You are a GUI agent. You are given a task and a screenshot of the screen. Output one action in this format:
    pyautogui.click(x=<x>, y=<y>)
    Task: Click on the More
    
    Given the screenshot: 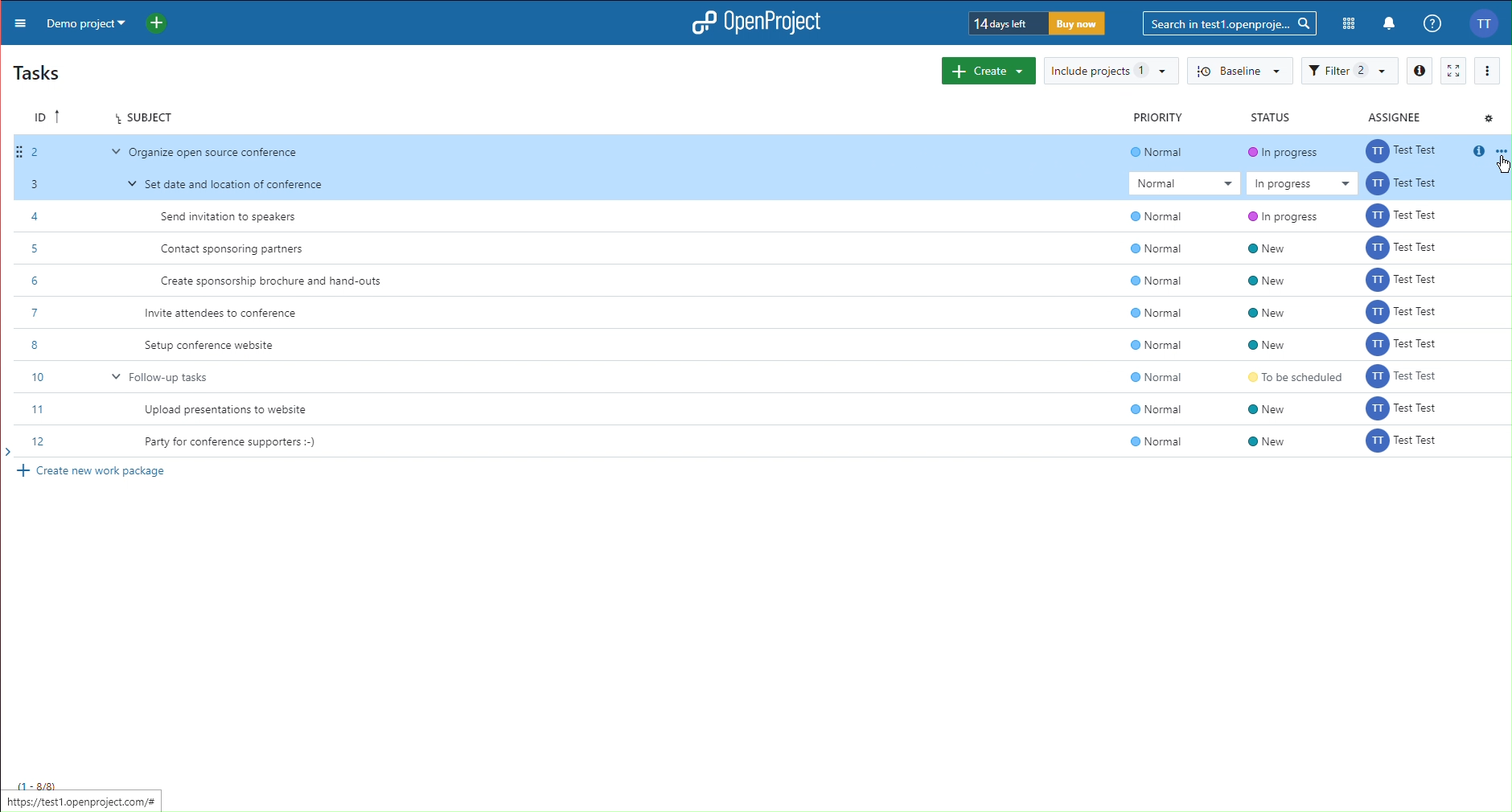 What is the action you would take?
    pyautogui.click(x=1489, y=70)
    